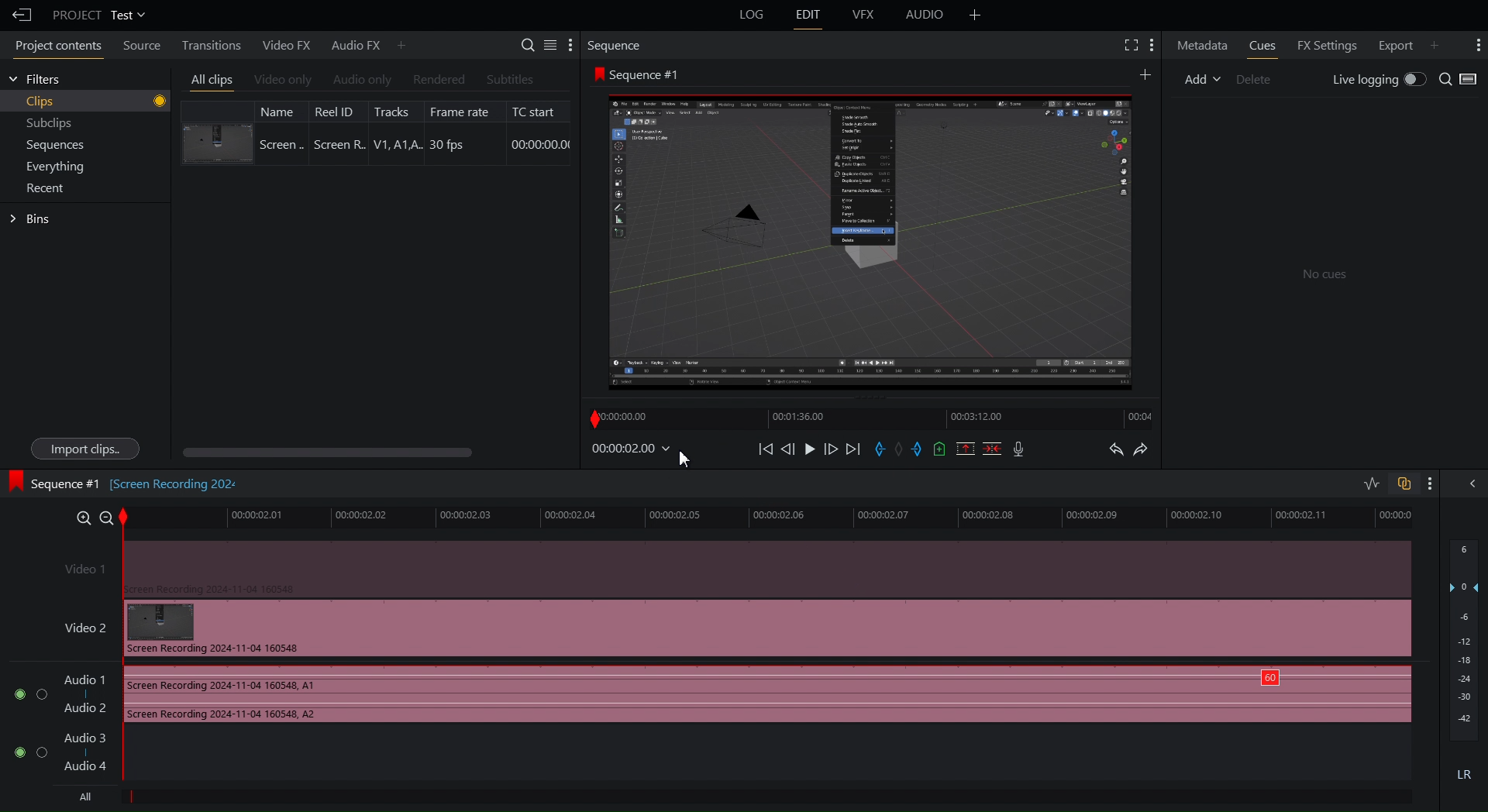 The height and width of the screenshot is (812, 1488). What do you see at coordinates (657, 449) in the screenshot?
I see `Apply` at bounding box center [657, 449].